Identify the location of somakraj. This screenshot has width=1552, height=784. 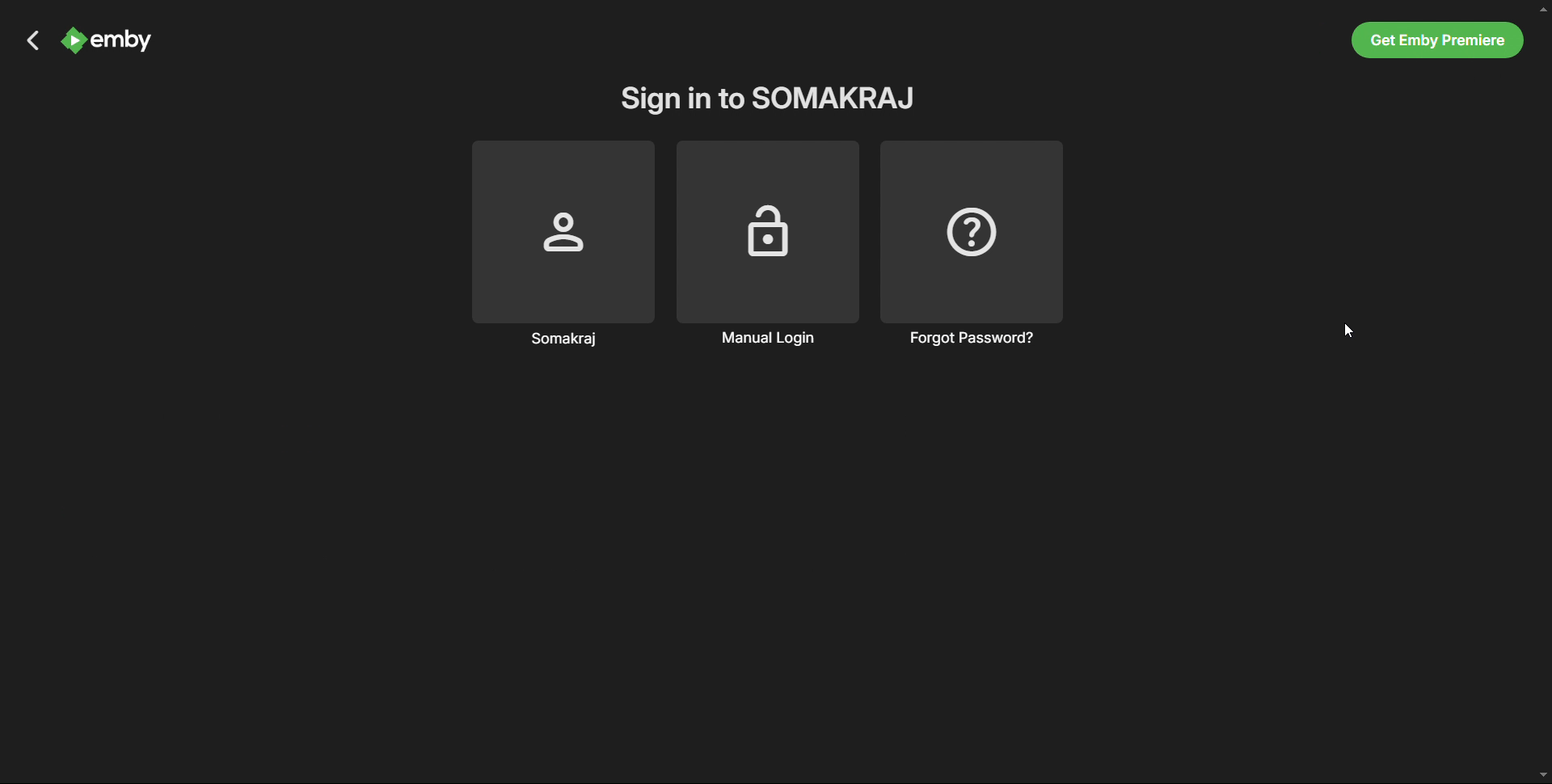
(561, 247).